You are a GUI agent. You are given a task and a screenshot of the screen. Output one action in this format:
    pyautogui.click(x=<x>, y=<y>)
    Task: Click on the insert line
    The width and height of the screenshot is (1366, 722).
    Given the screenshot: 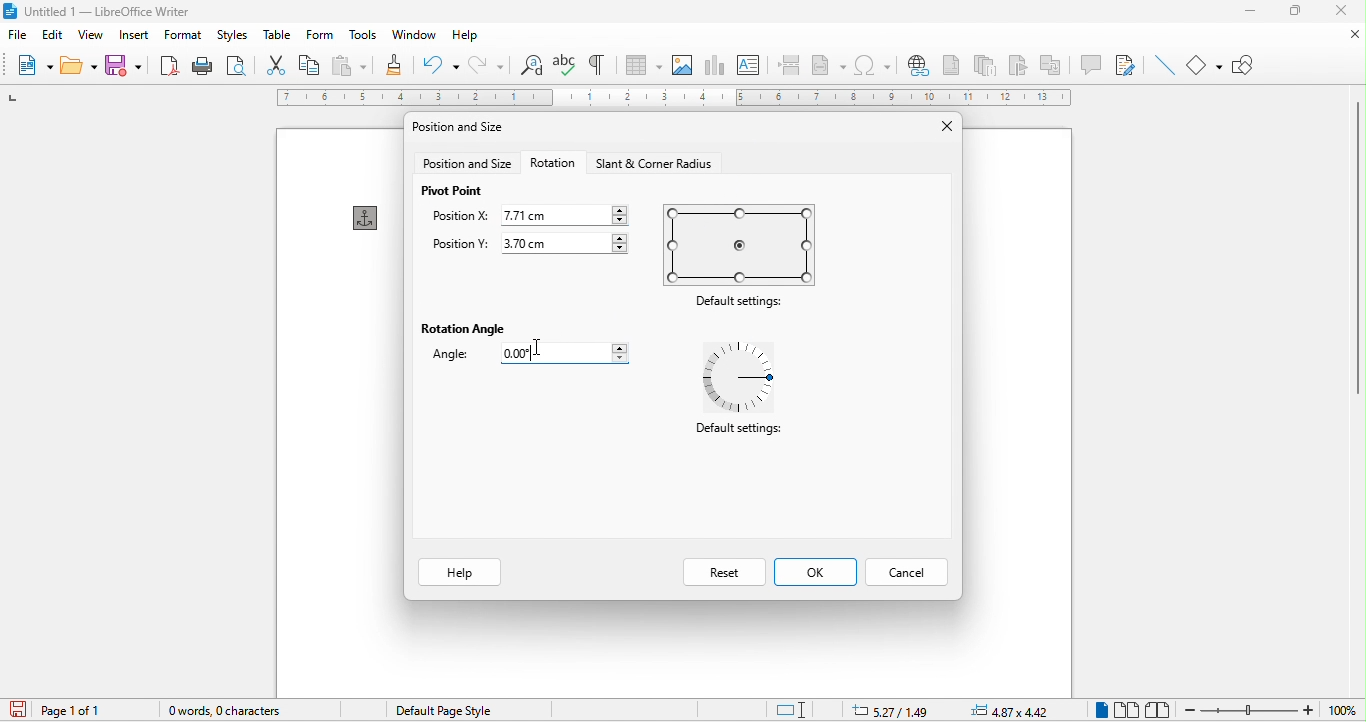 What is the action you would take?
    pyautogui.click(x=1162, y=66)
    